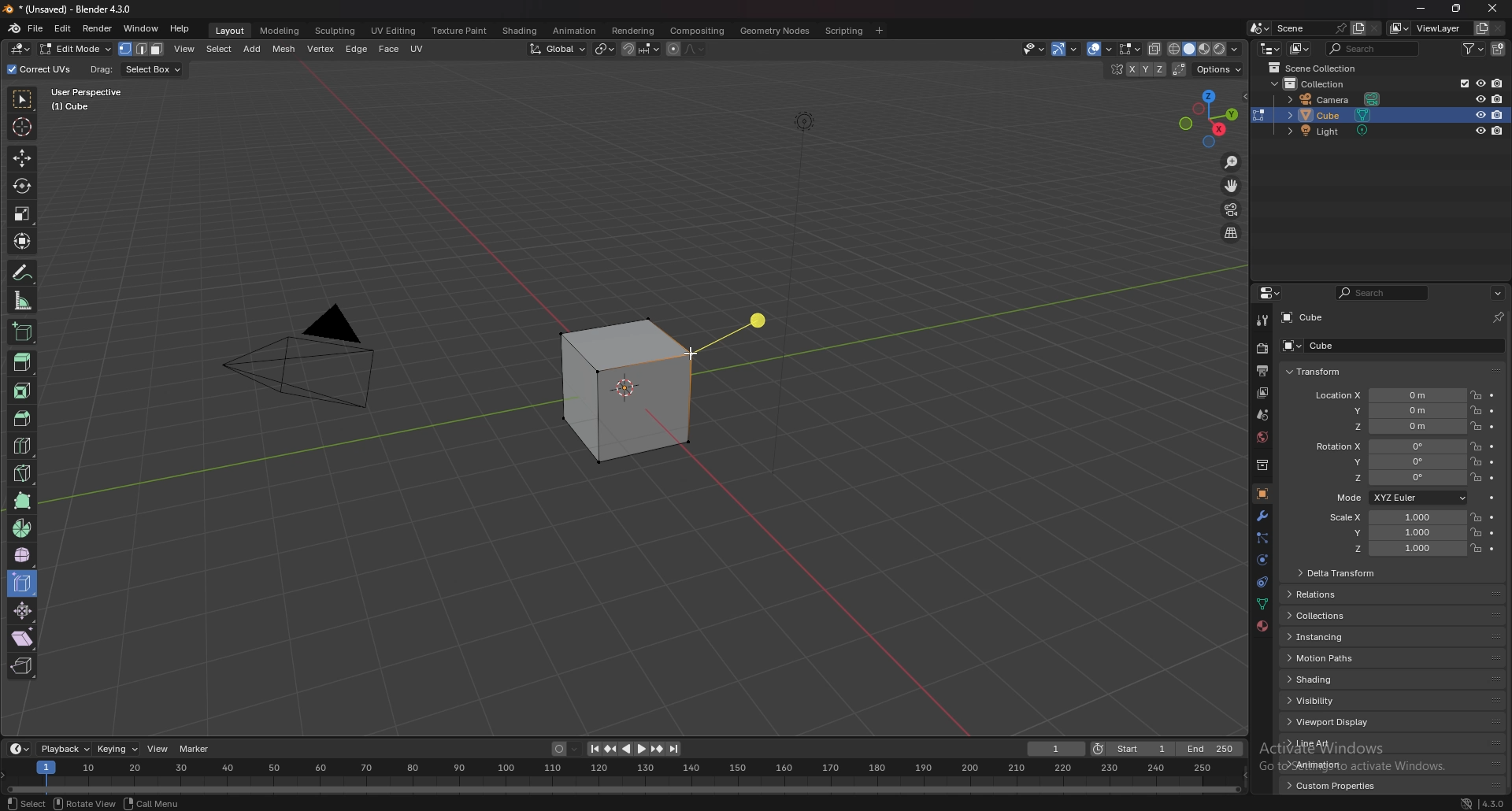 Image resolution: width=1512 pixels, height=811 pixels. Describe the element at coordinates (98, 98) in the screenshot. I see `user perspective` at that location.